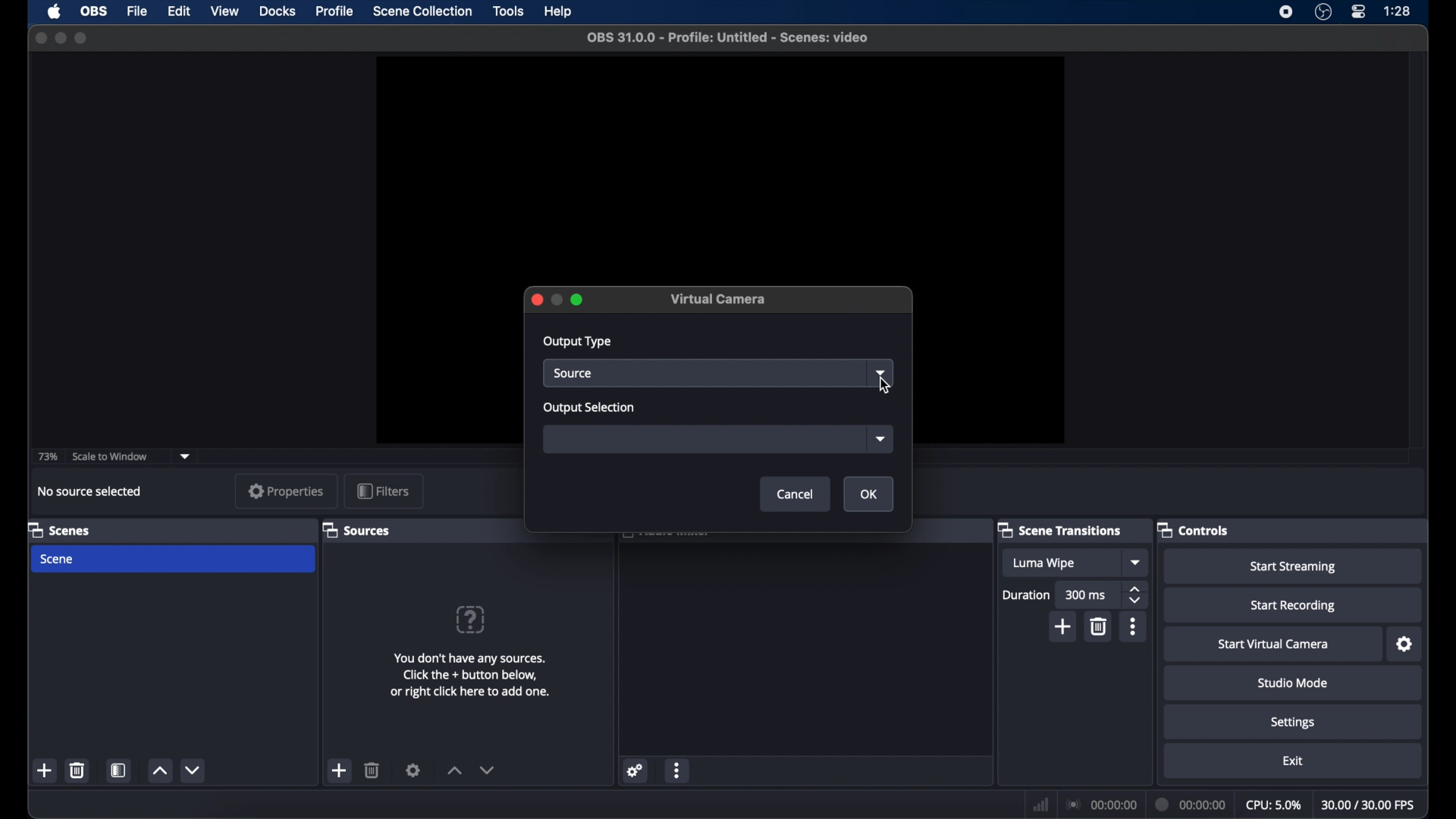 This screenshot has width=1456, height=819. What do you see at coordinates (120, 770) in the screenshot?
I see `scene filters` at bounding box center [120, 770].